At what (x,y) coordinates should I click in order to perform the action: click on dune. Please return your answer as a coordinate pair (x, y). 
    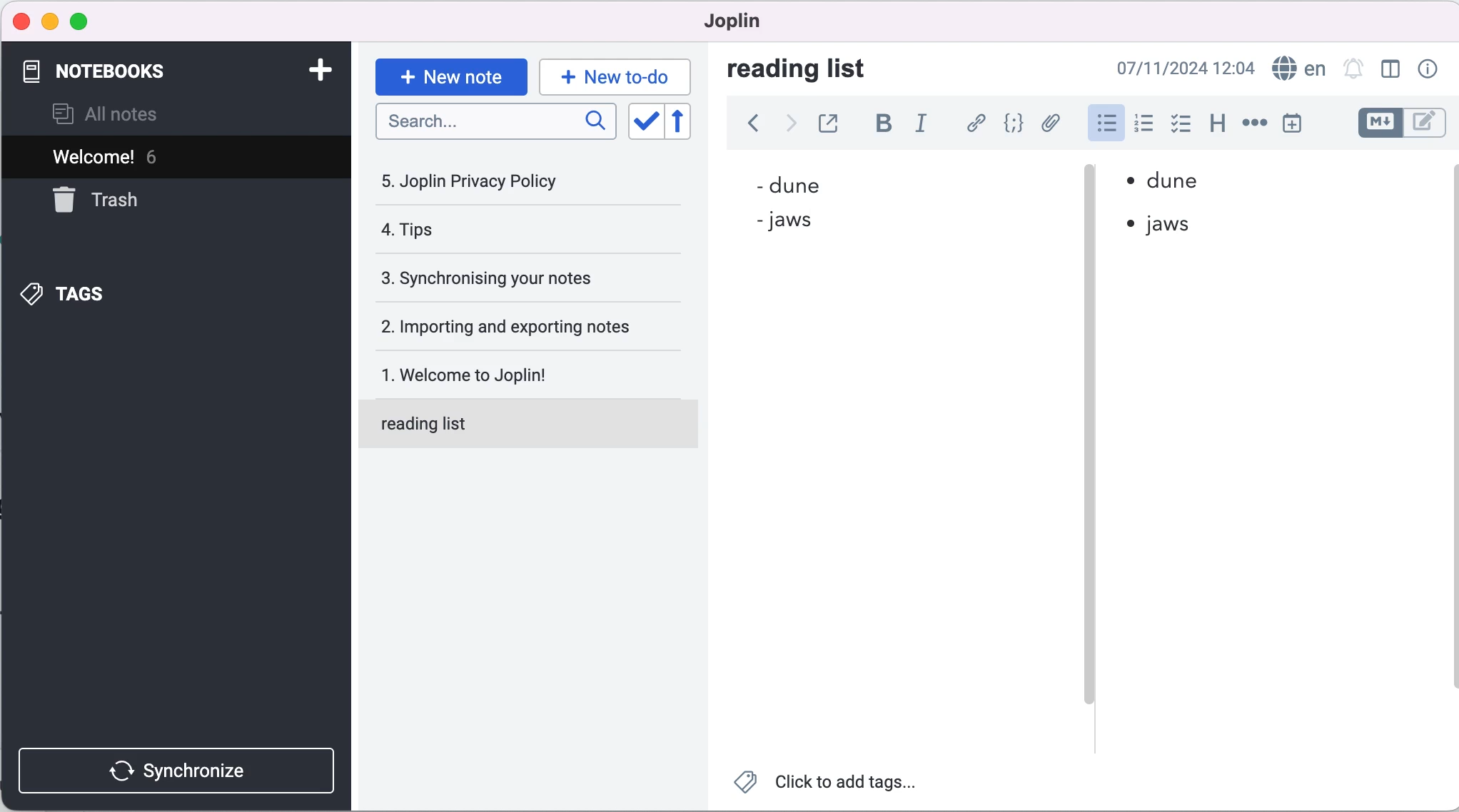
    Looking at the image, I should click on (1187, 184).